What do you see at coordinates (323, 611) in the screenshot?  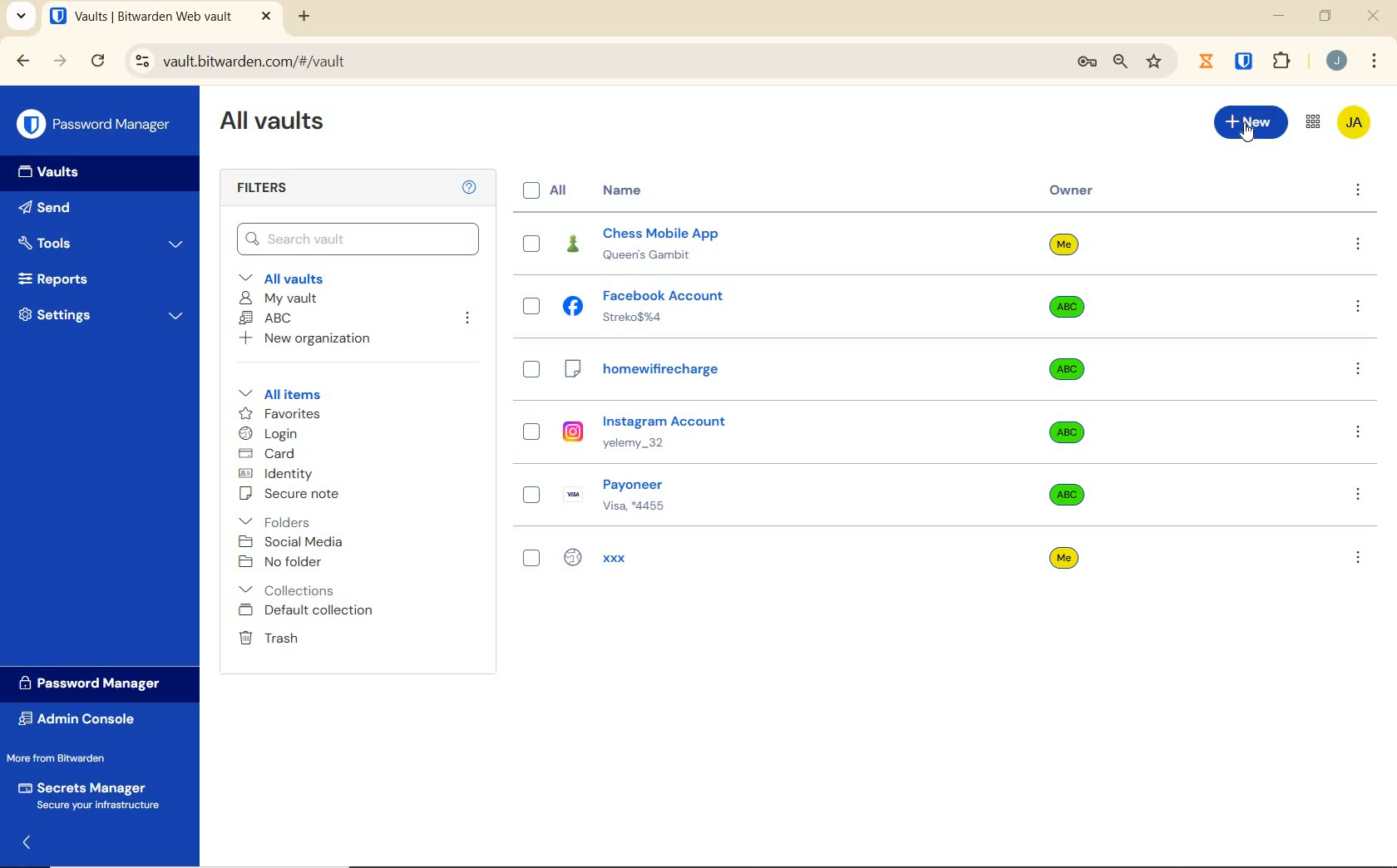 I see `Default collection` at bounding box center [323, 611].